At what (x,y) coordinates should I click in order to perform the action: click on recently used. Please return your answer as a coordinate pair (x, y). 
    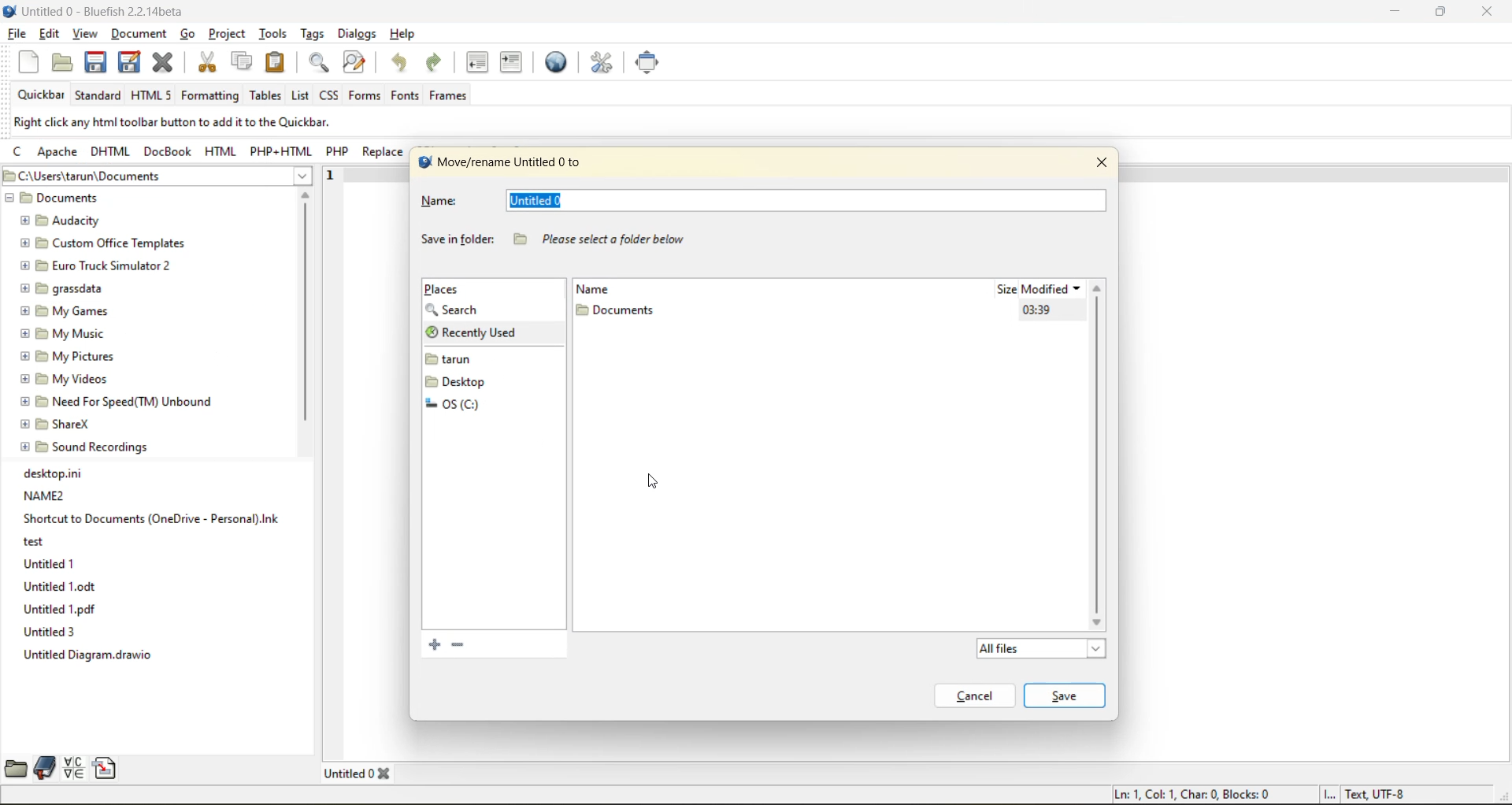
    Looking at the image, I should click on (479, 332).